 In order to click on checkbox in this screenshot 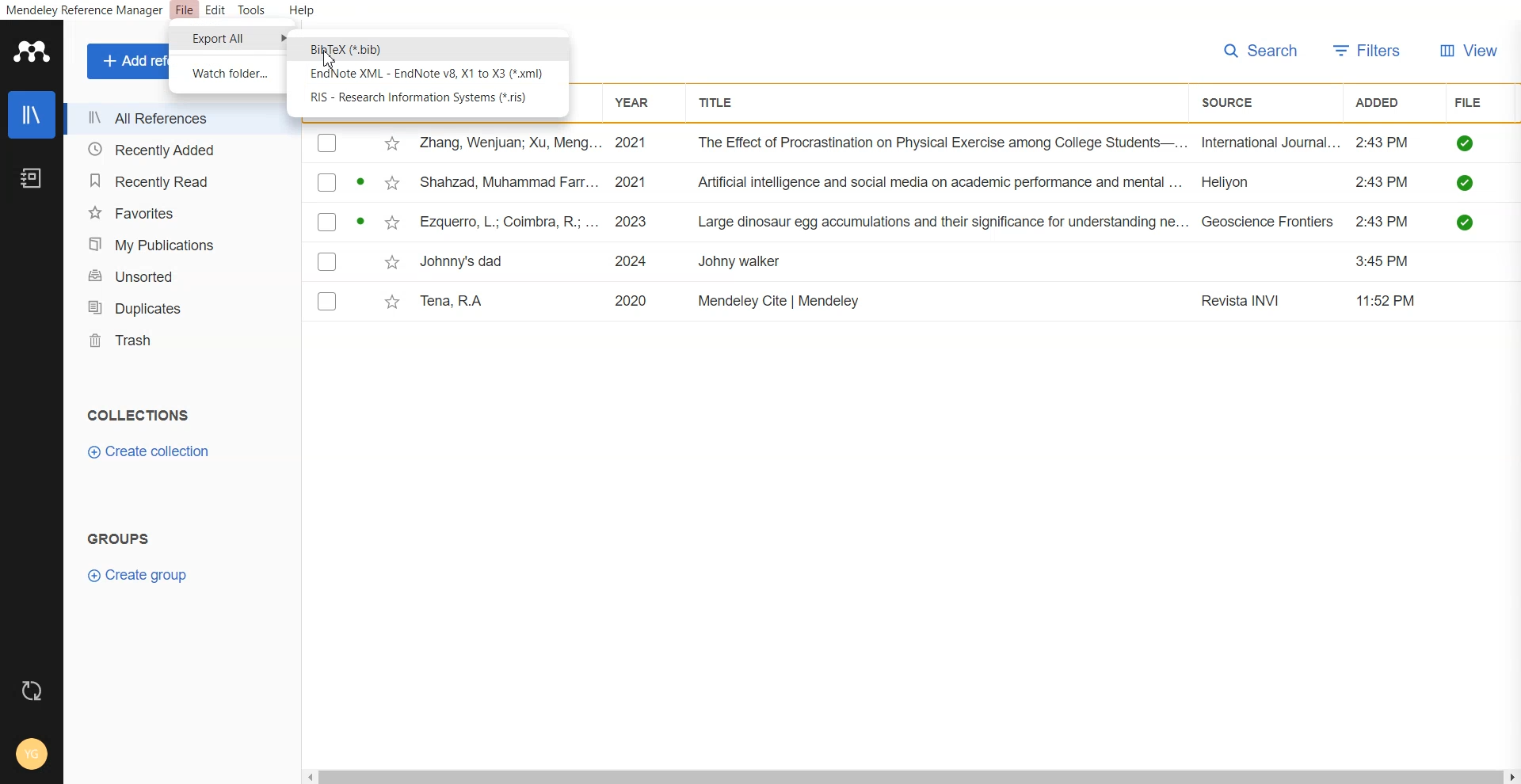, I will do `click(327, 221)`.